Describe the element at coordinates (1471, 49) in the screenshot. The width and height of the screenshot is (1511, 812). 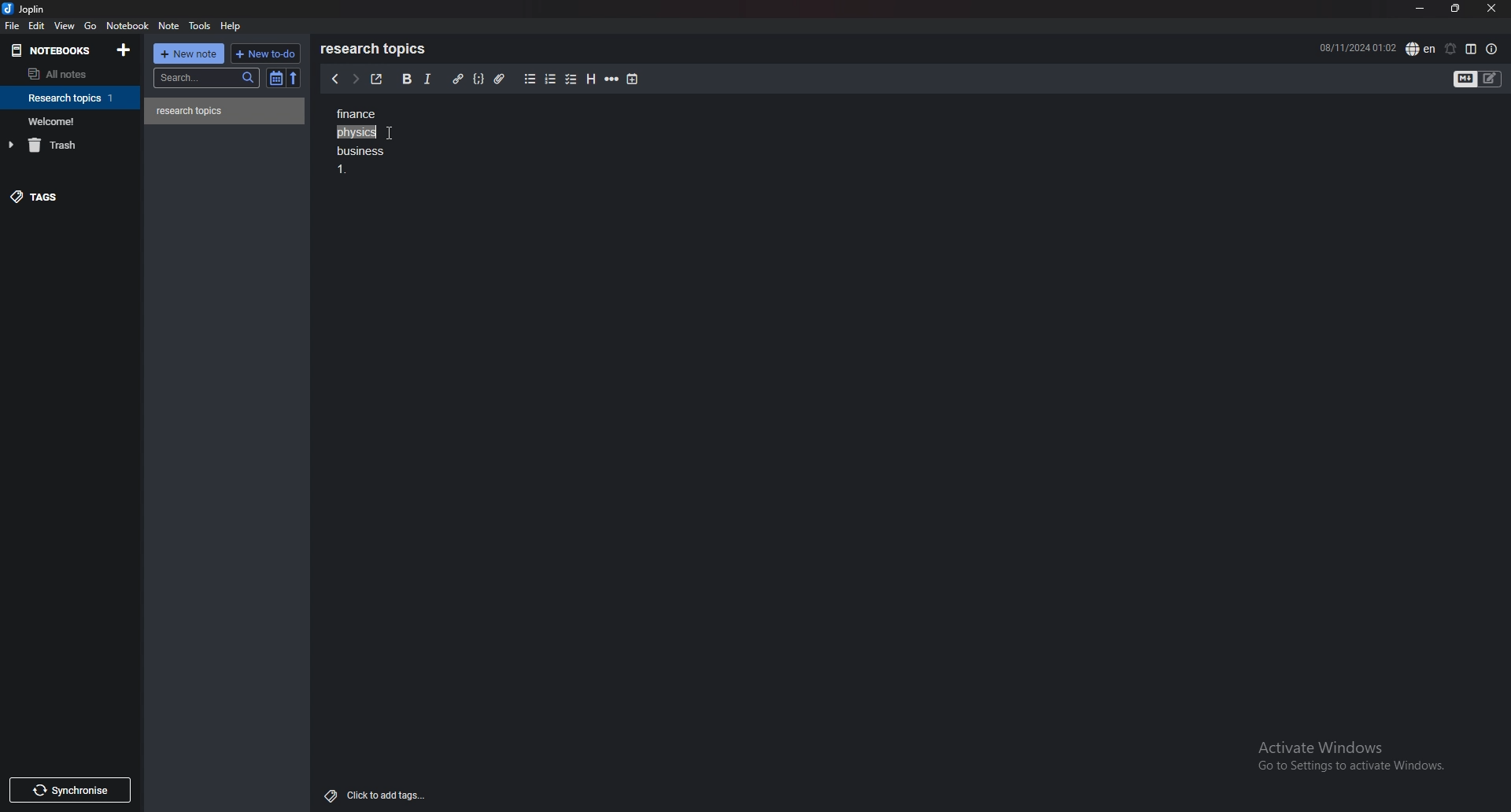
I see `toggle editor layout` at that location.